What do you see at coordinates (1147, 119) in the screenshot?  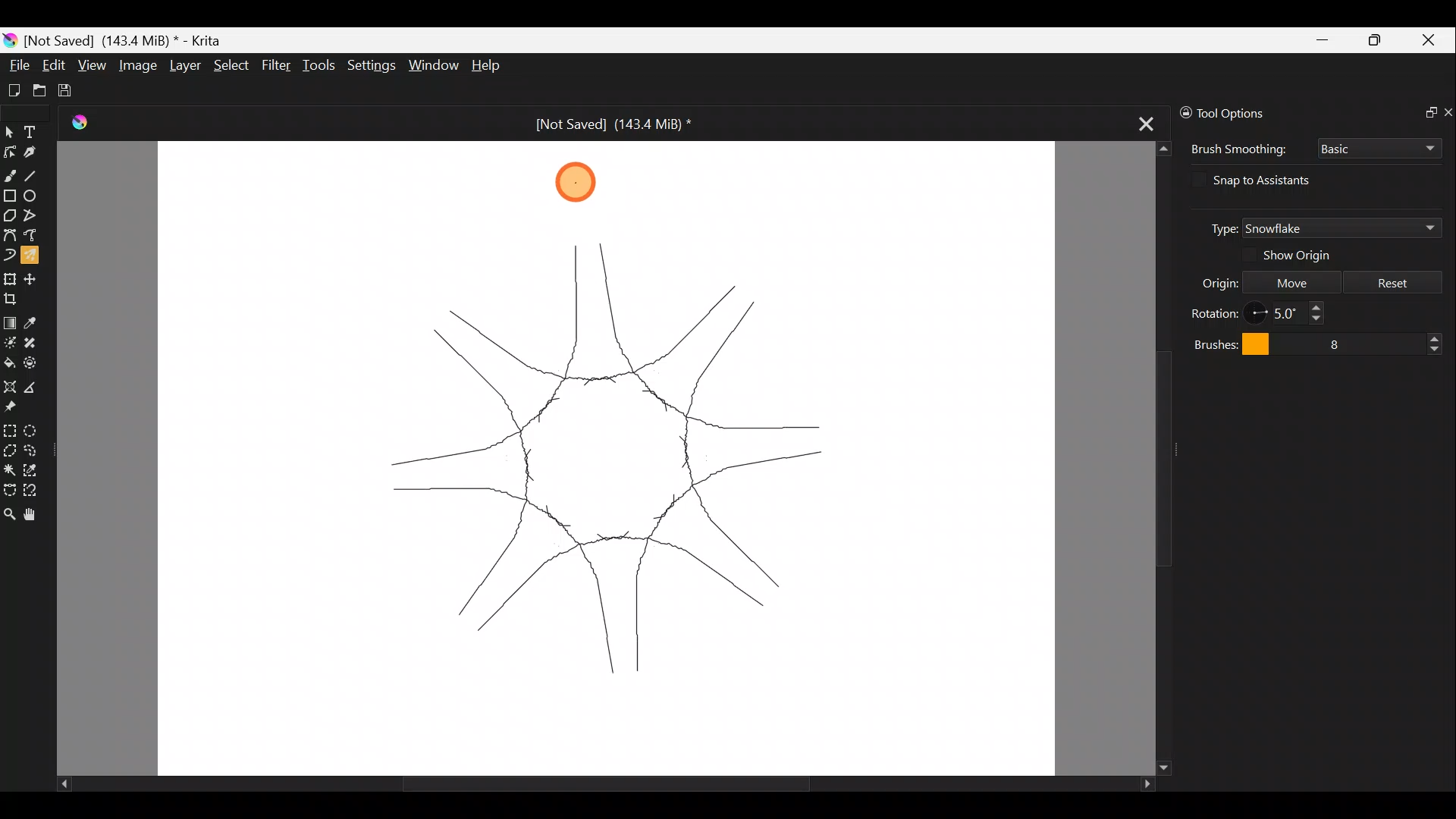 I see `Close tab` at bounding box center [1147, 119].